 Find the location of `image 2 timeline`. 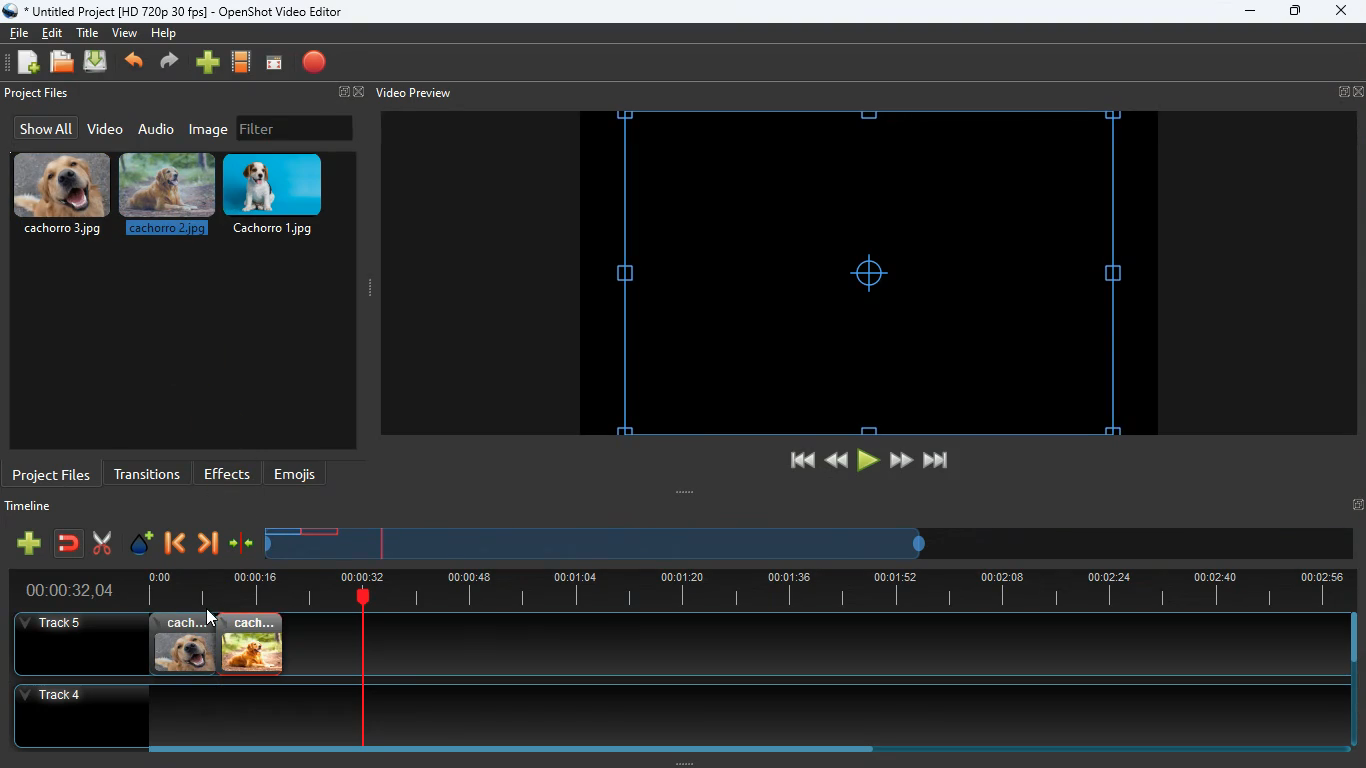

image 2 timeline is located at coordinates (322, 531).